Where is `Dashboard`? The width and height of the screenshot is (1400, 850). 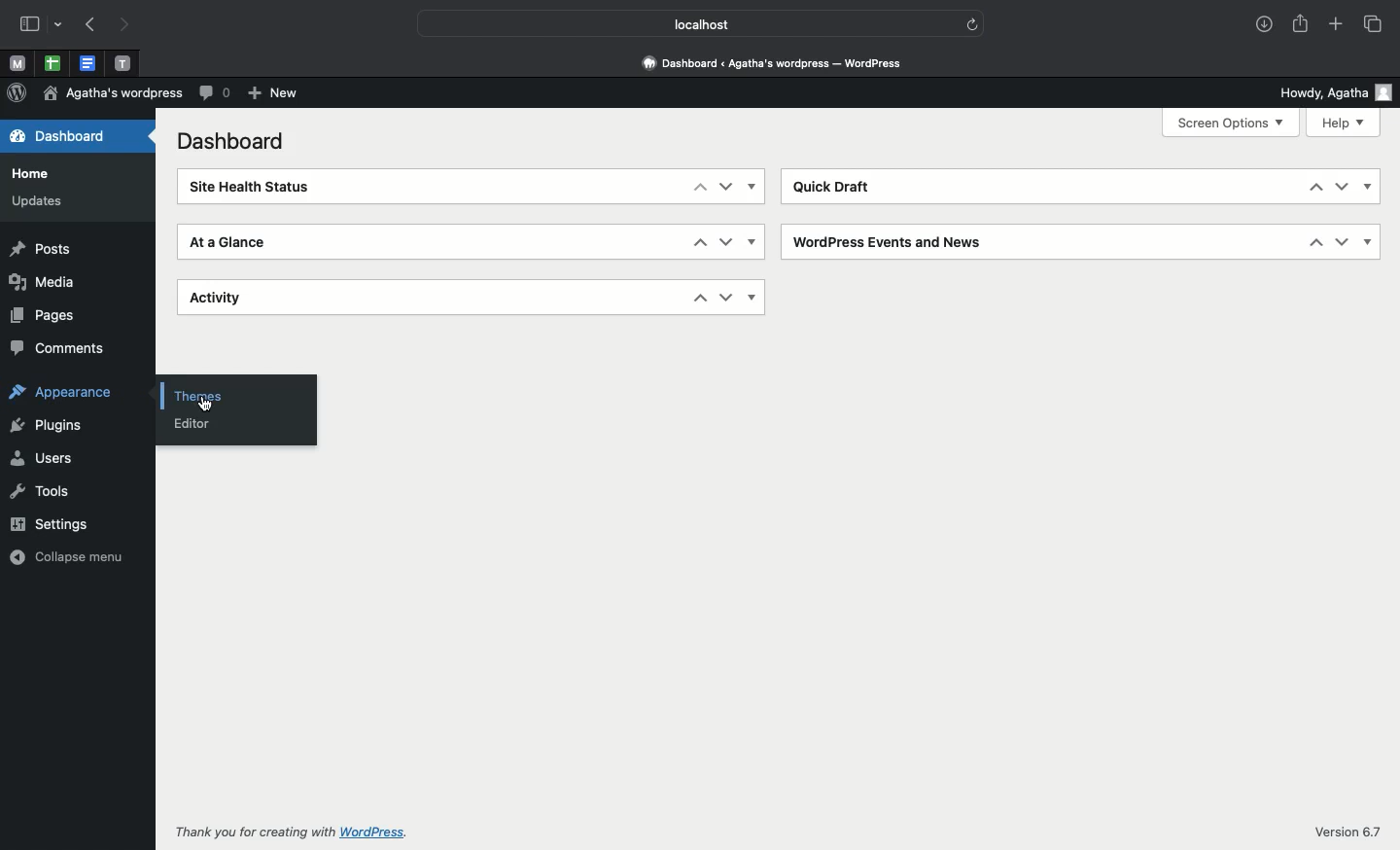
Dashboard is located at coordinates (69, 135).